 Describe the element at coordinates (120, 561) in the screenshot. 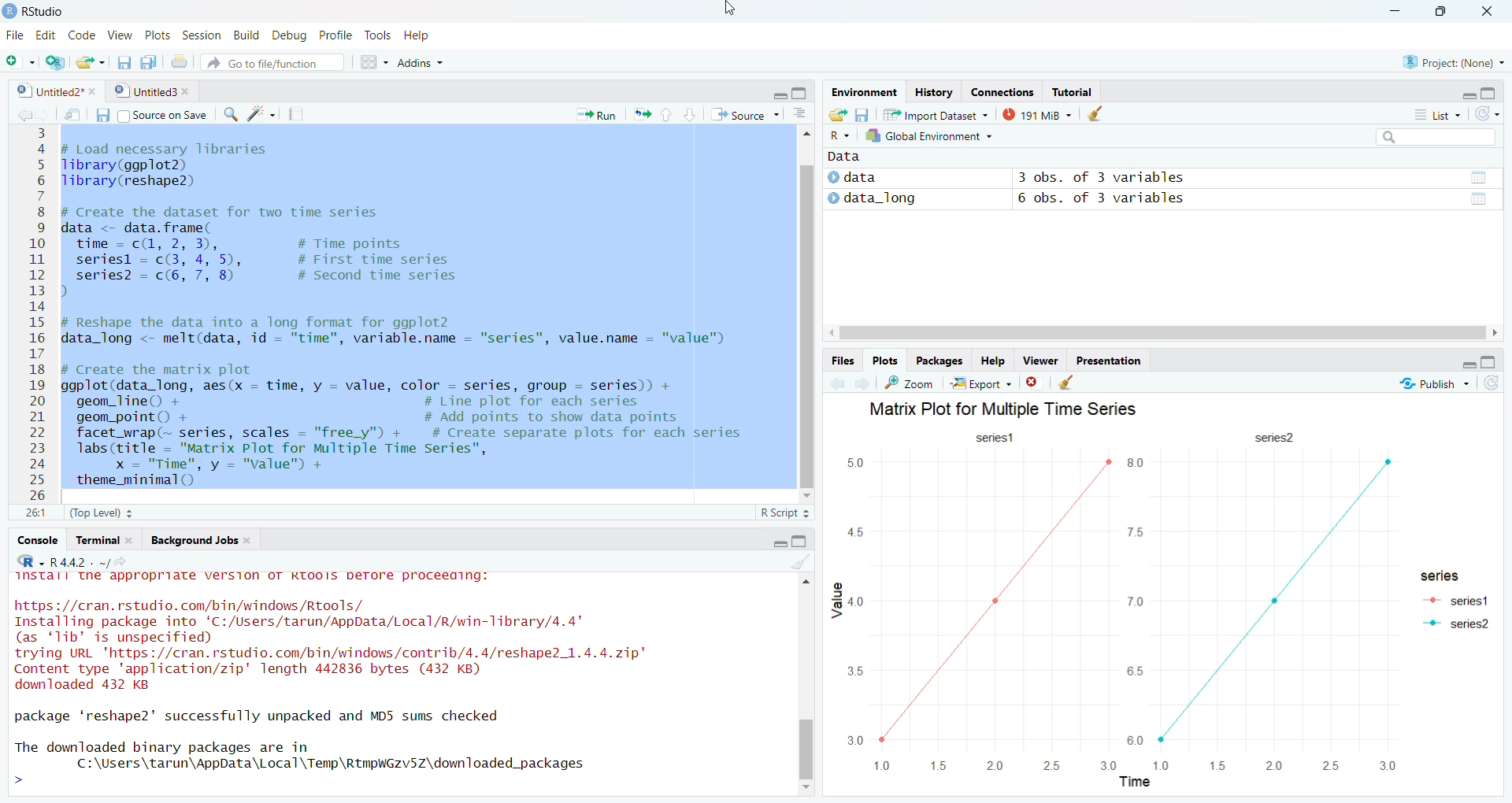

I see `view current working directory` at that location.